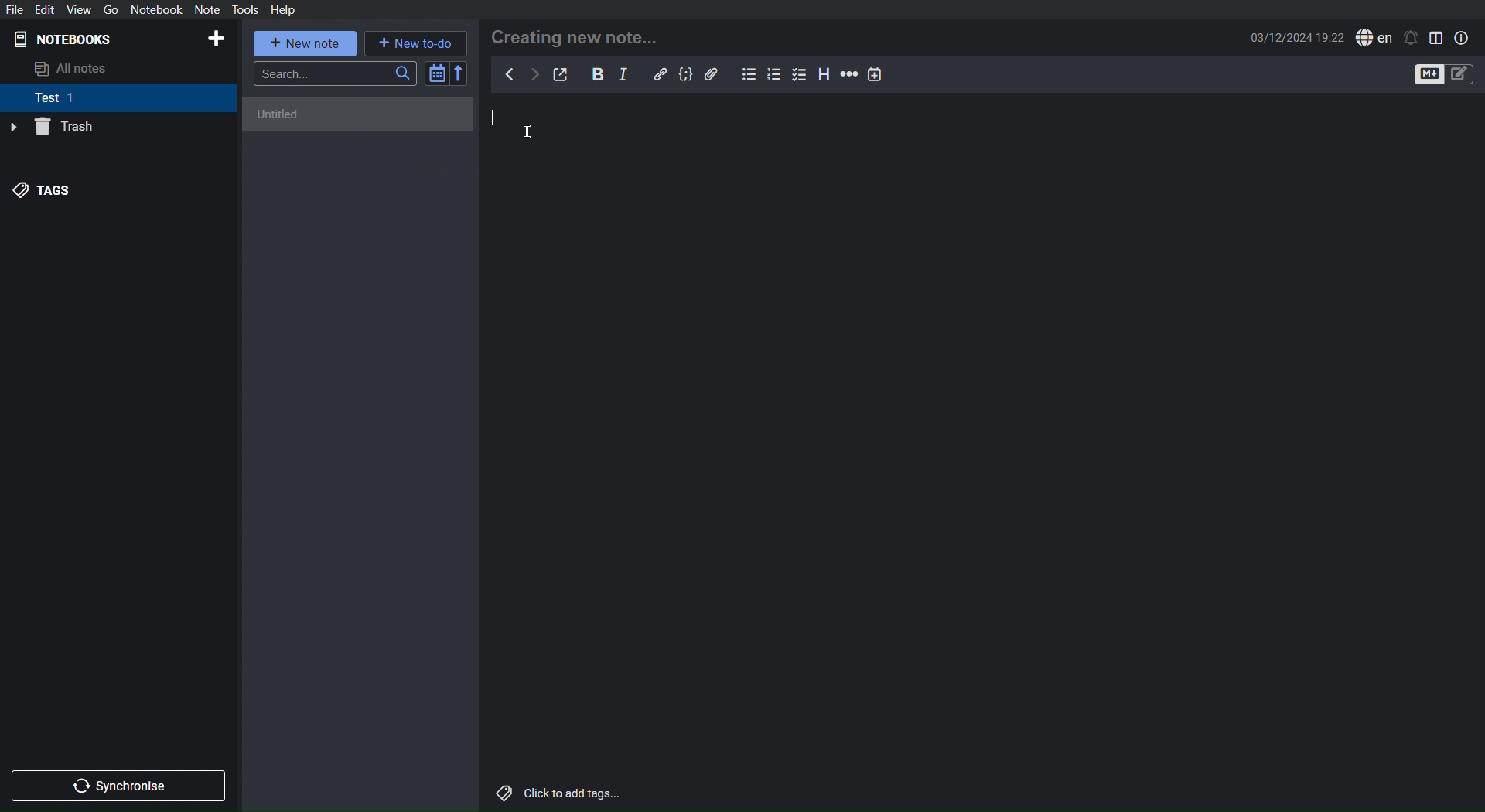  Describe the element at coordinates (848, 75) in the screenshot. I see `Horizontal Ruler` at that location.